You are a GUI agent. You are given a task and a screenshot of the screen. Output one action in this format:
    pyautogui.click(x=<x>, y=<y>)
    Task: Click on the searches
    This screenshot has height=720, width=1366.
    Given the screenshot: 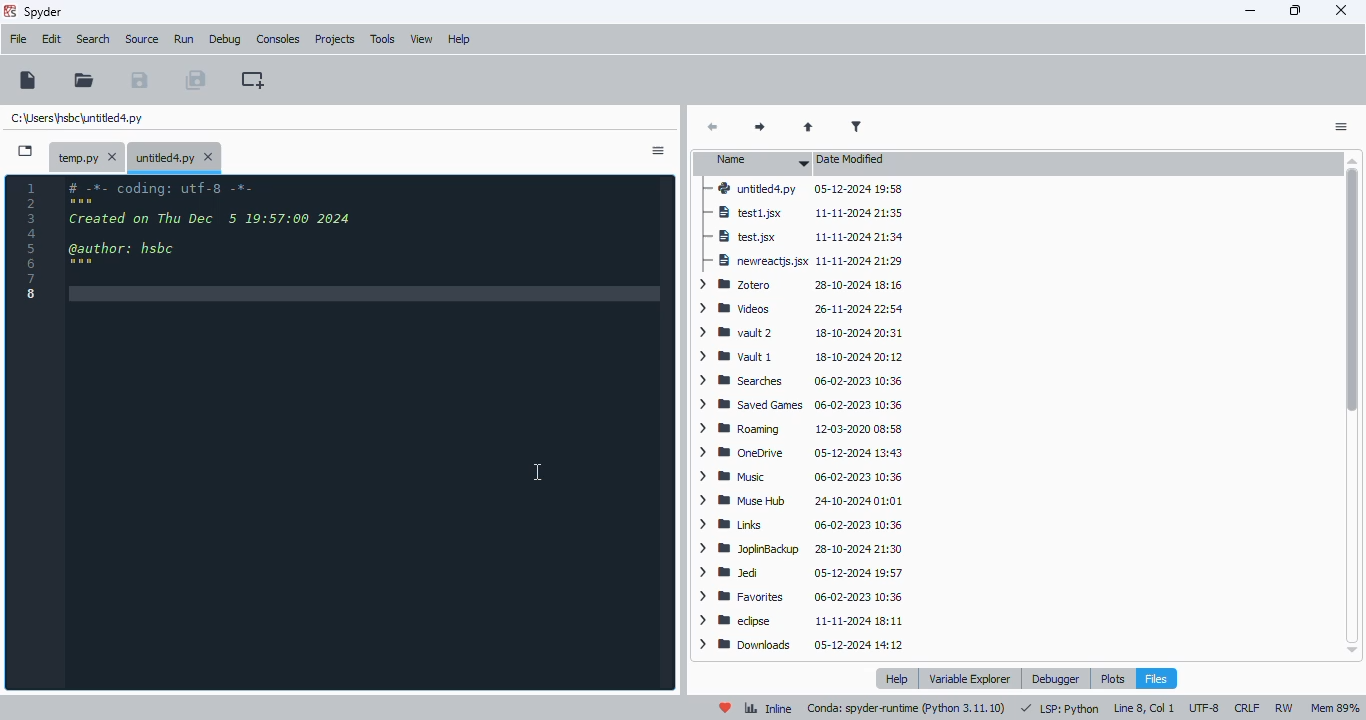 What is the action you would take?
    pyautogui.click(x=742, y=380)
    